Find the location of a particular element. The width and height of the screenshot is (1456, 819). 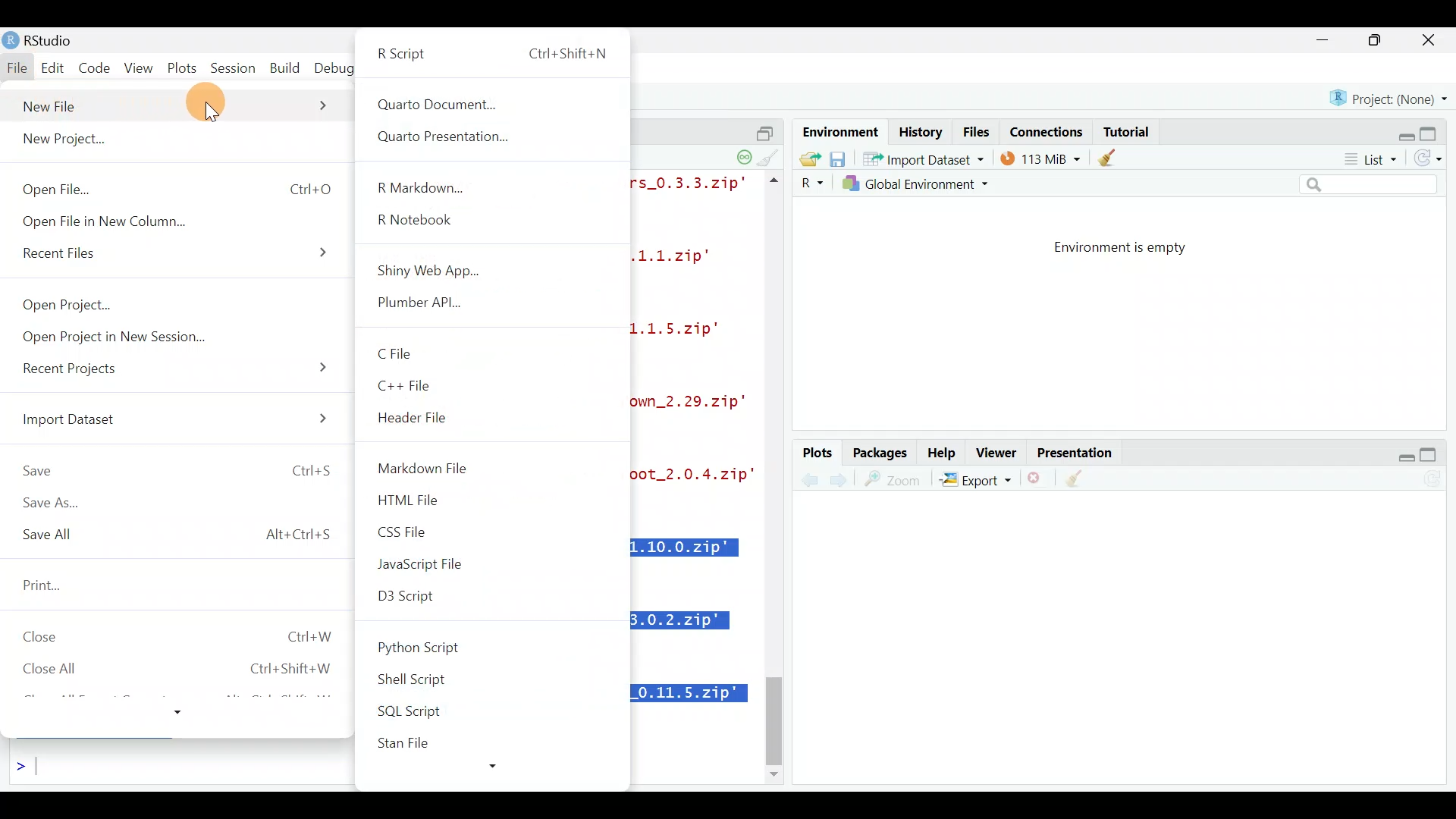

C++ File is located at coordinates (413, 387).